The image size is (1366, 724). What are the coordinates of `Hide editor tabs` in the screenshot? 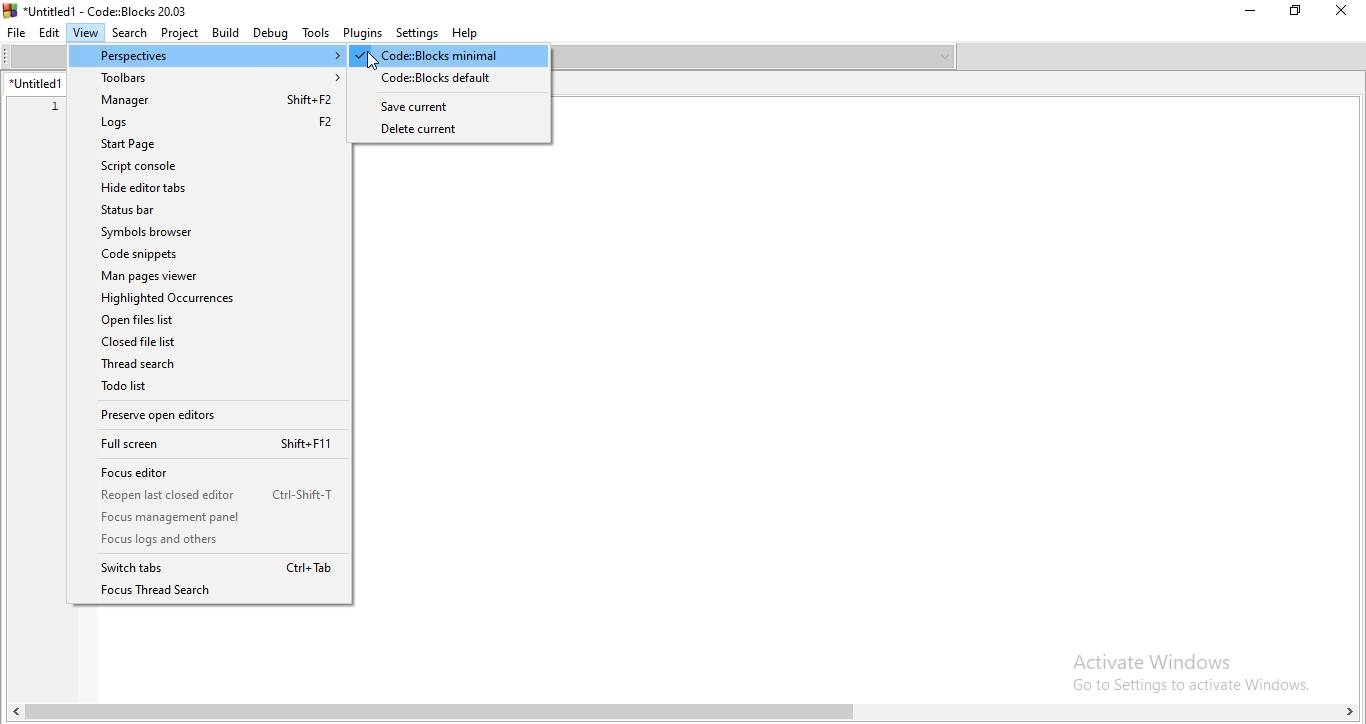 It's located at (209, 187).